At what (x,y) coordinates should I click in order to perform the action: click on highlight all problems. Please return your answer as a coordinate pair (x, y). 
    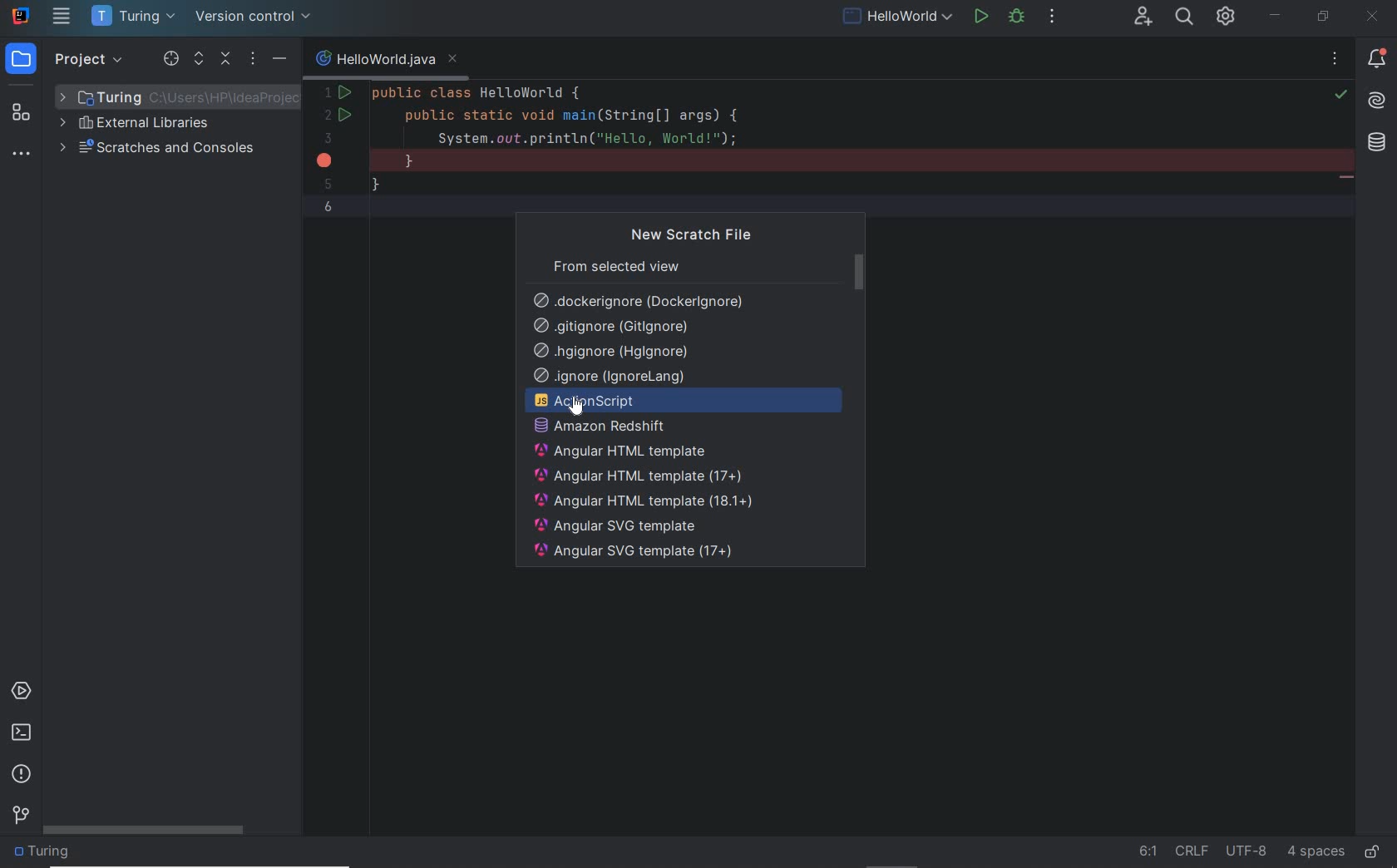
    Looking at the image, I should click on (1340, 95).